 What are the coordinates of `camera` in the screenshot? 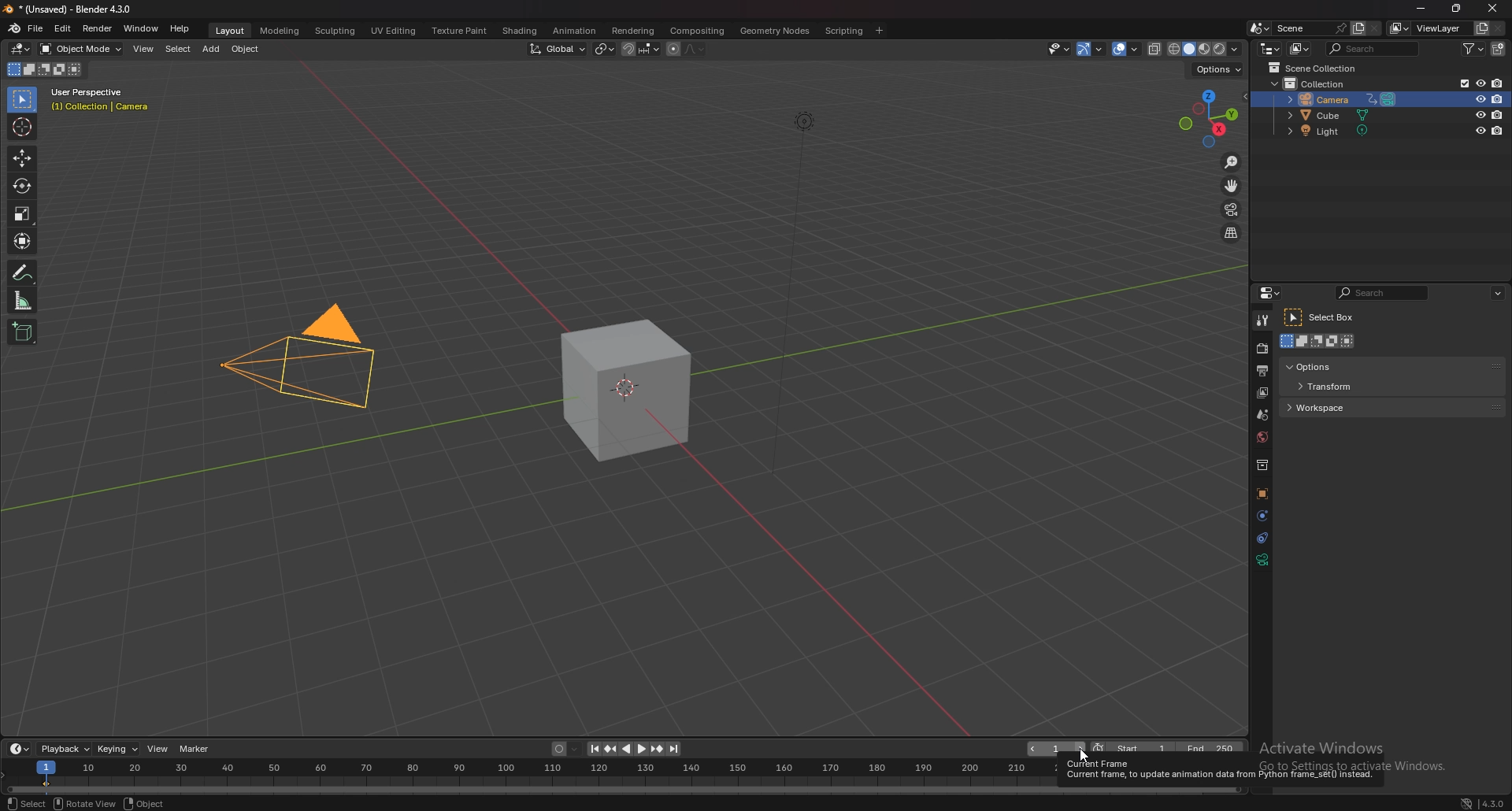 It's located at (298, 365).